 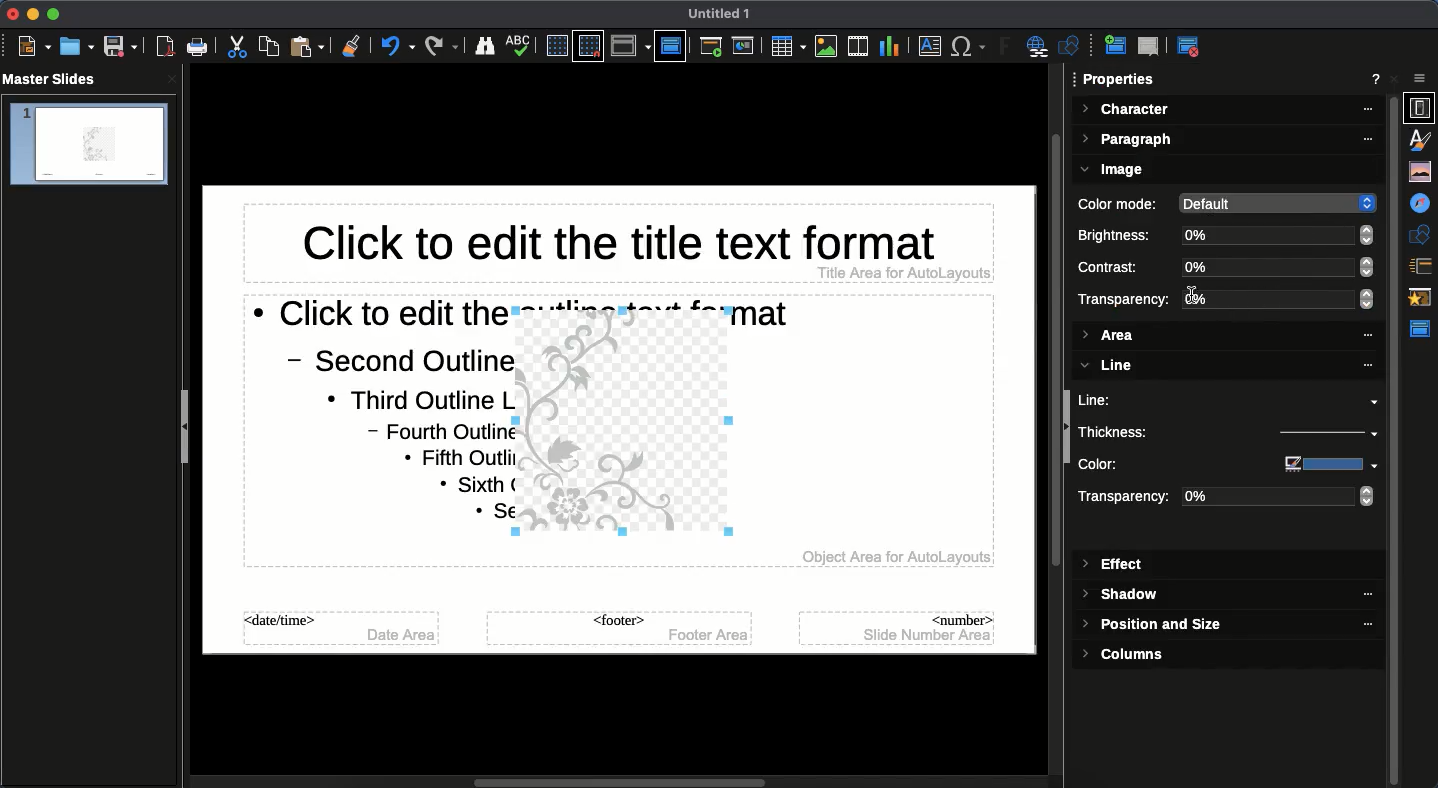 I want to click on Redo, so click(x=442, y=46).